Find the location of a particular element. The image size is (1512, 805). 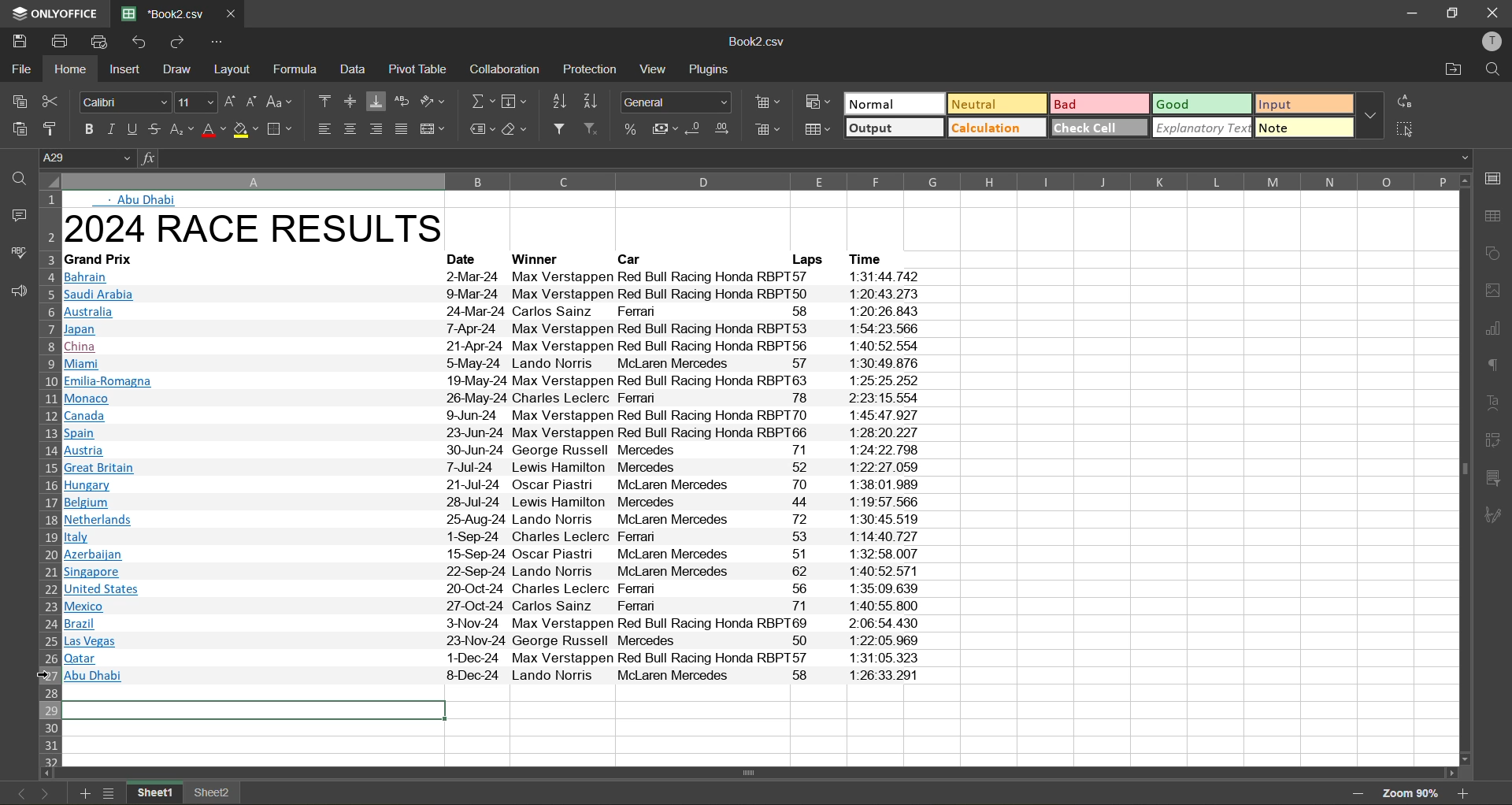

check cell is located at coordinates (1099, 128).